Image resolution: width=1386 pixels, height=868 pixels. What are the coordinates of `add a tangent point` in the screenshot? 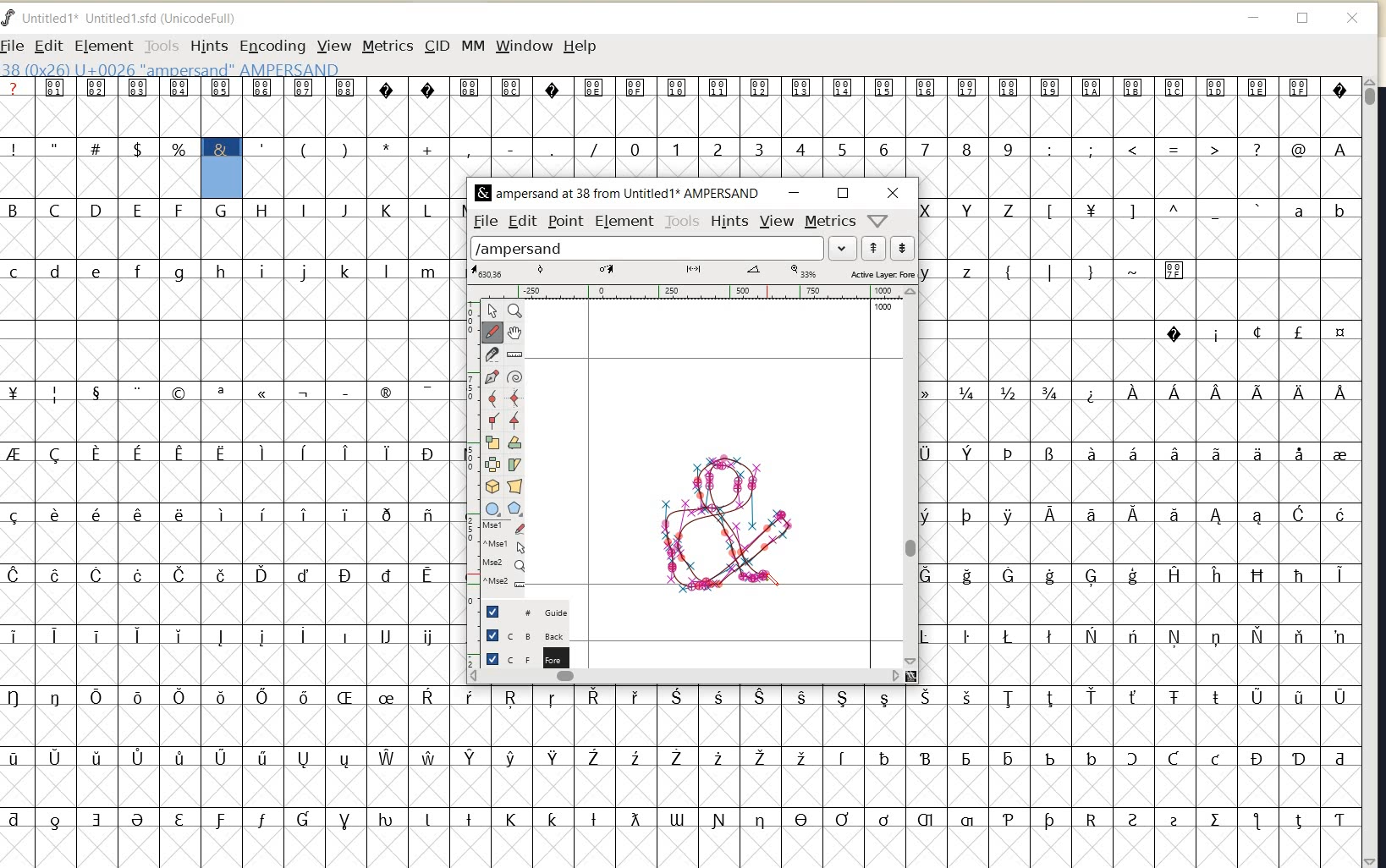 It's located at (514, 420).